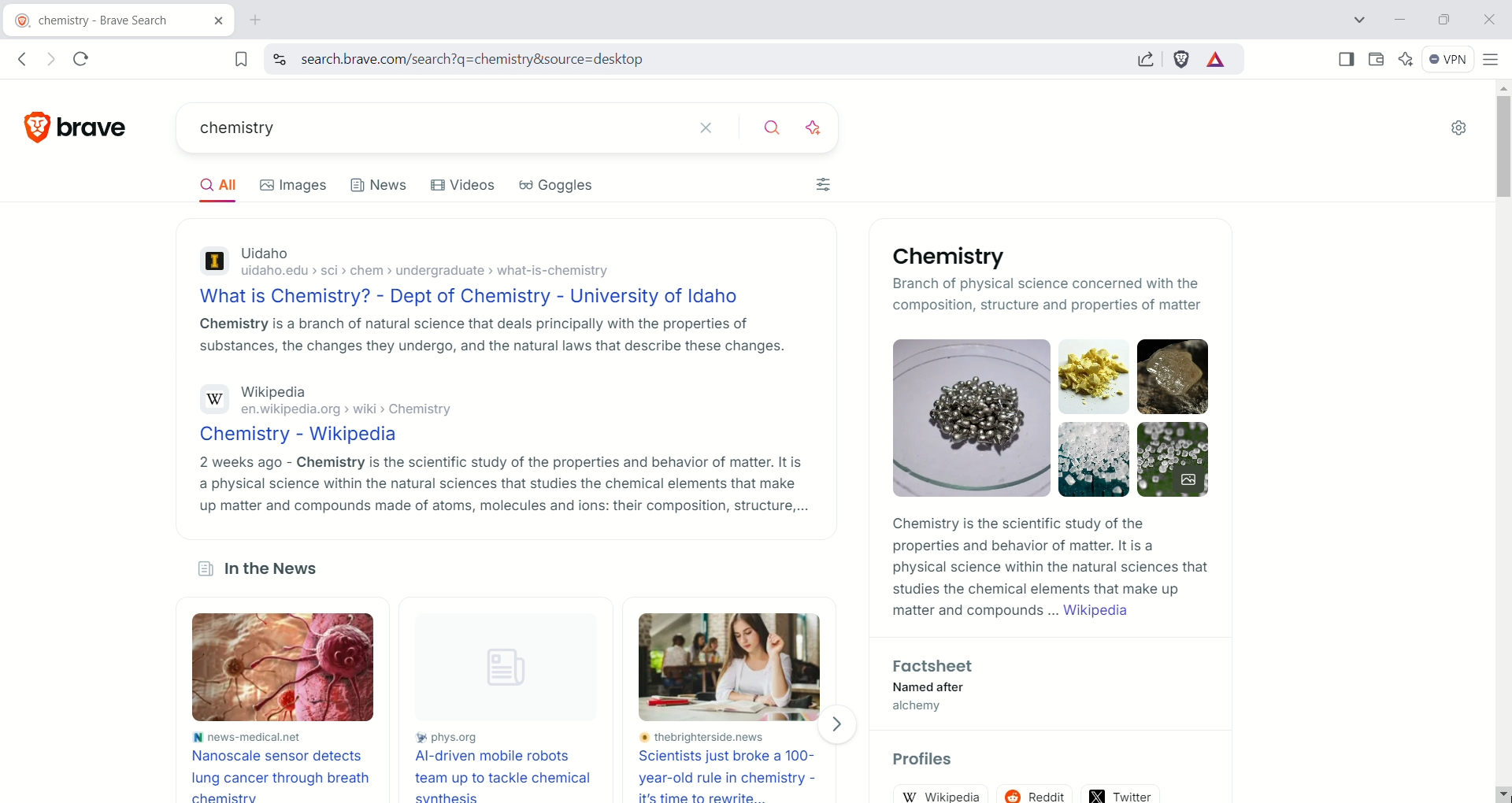  I want to click on News-medical.net Nanoscale sensor detects lung cancer through breath chemistry, so click(280, 765).